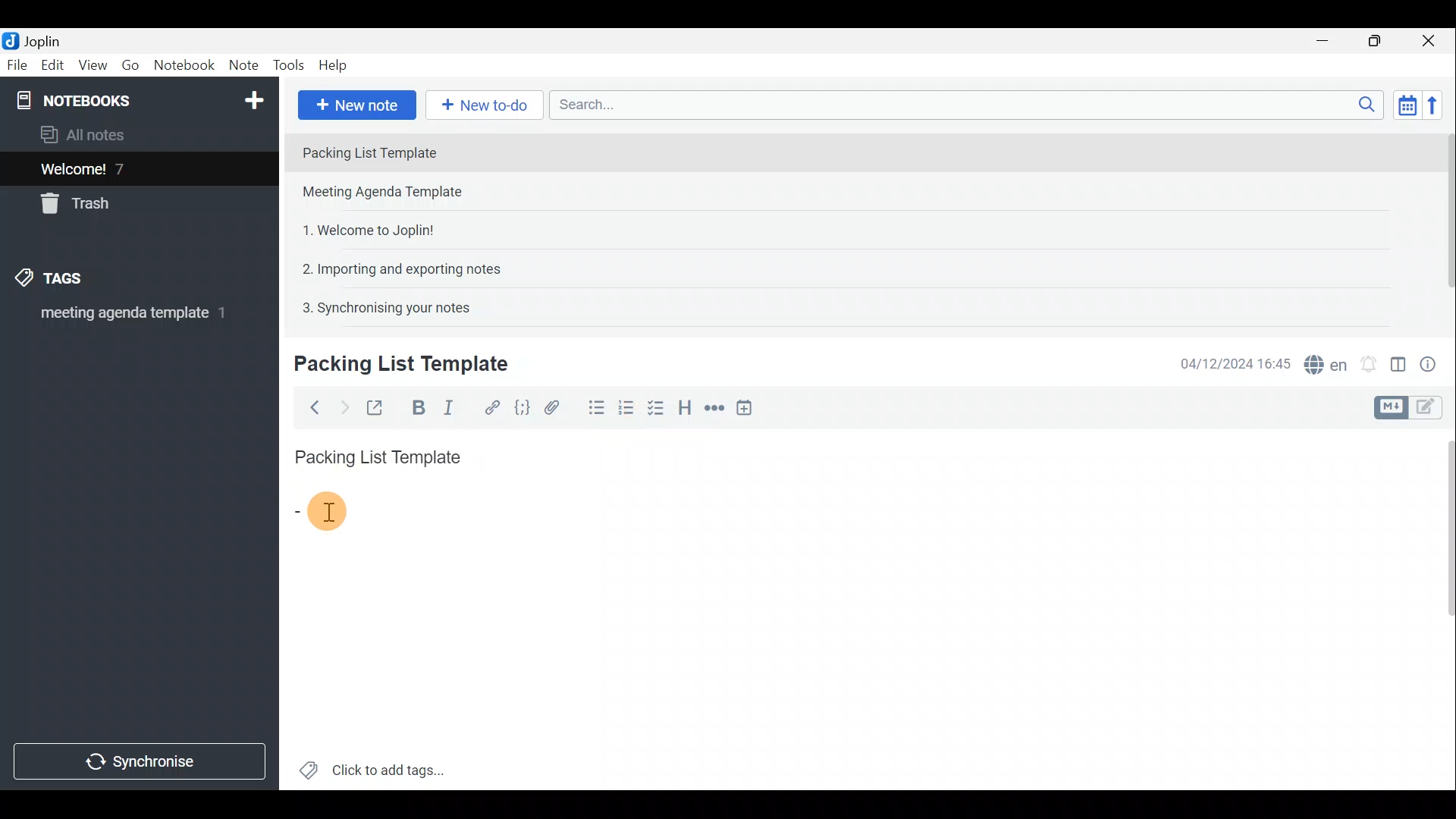  What do you see at coordinates (489, 406) in the screenshot?
I see `Hyperlink` at bounding box center [489, 406].